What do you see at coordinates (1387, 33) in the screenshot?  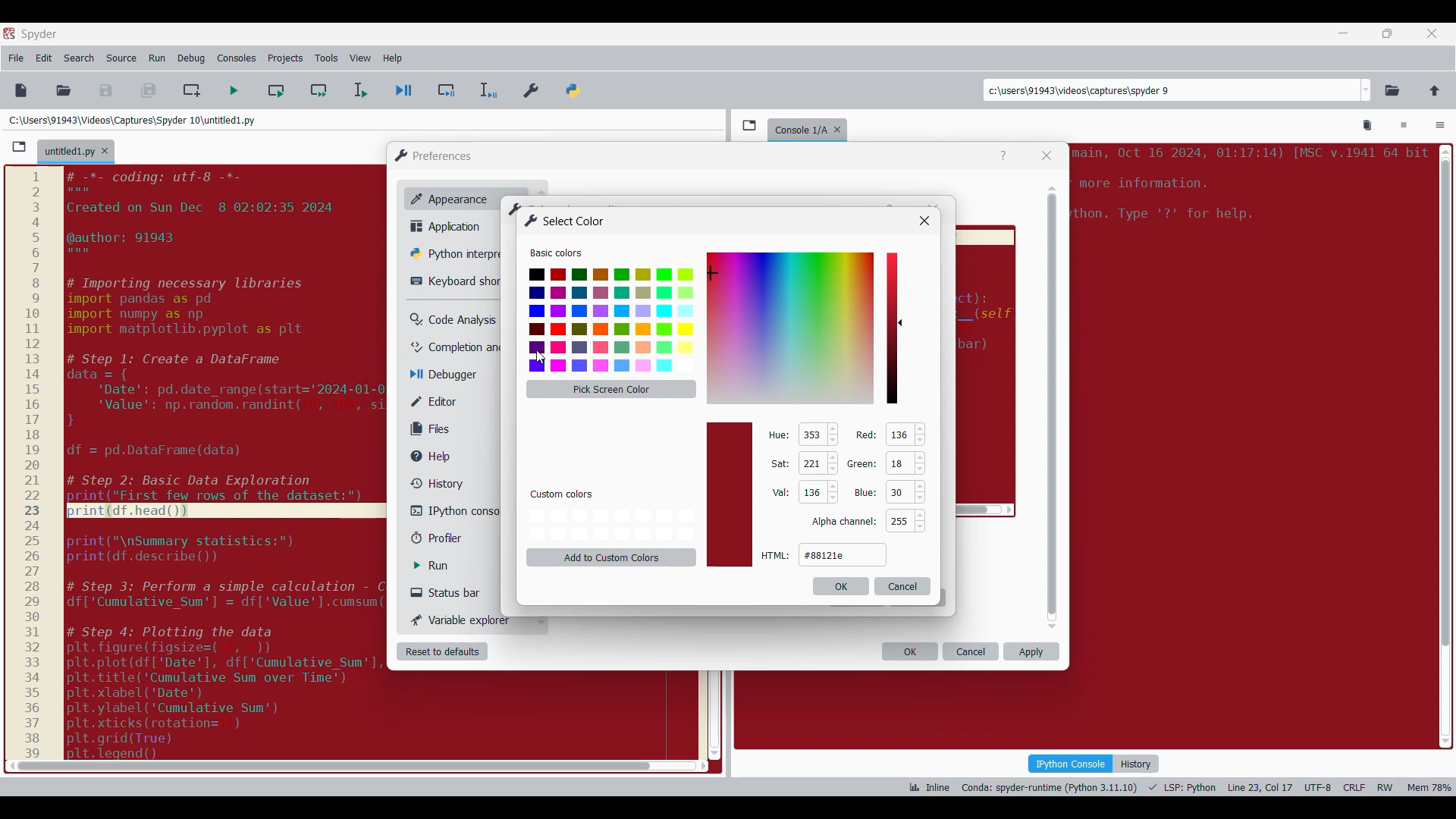 I see `Show in smaller tab` at bounding box center [1387, 33].